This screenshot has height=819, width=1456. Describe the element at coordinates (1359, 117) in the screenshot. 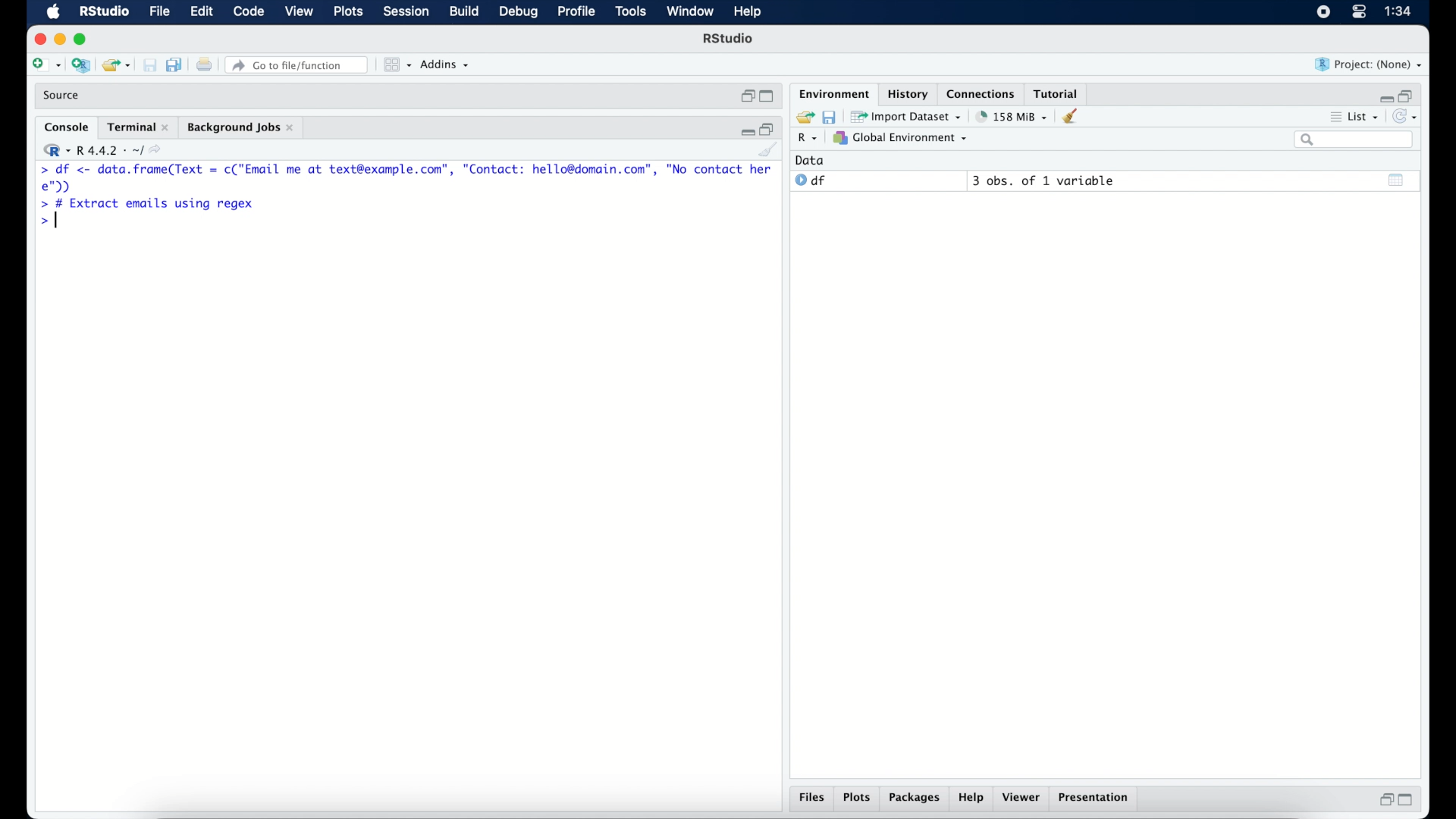

I see `list` at that location.